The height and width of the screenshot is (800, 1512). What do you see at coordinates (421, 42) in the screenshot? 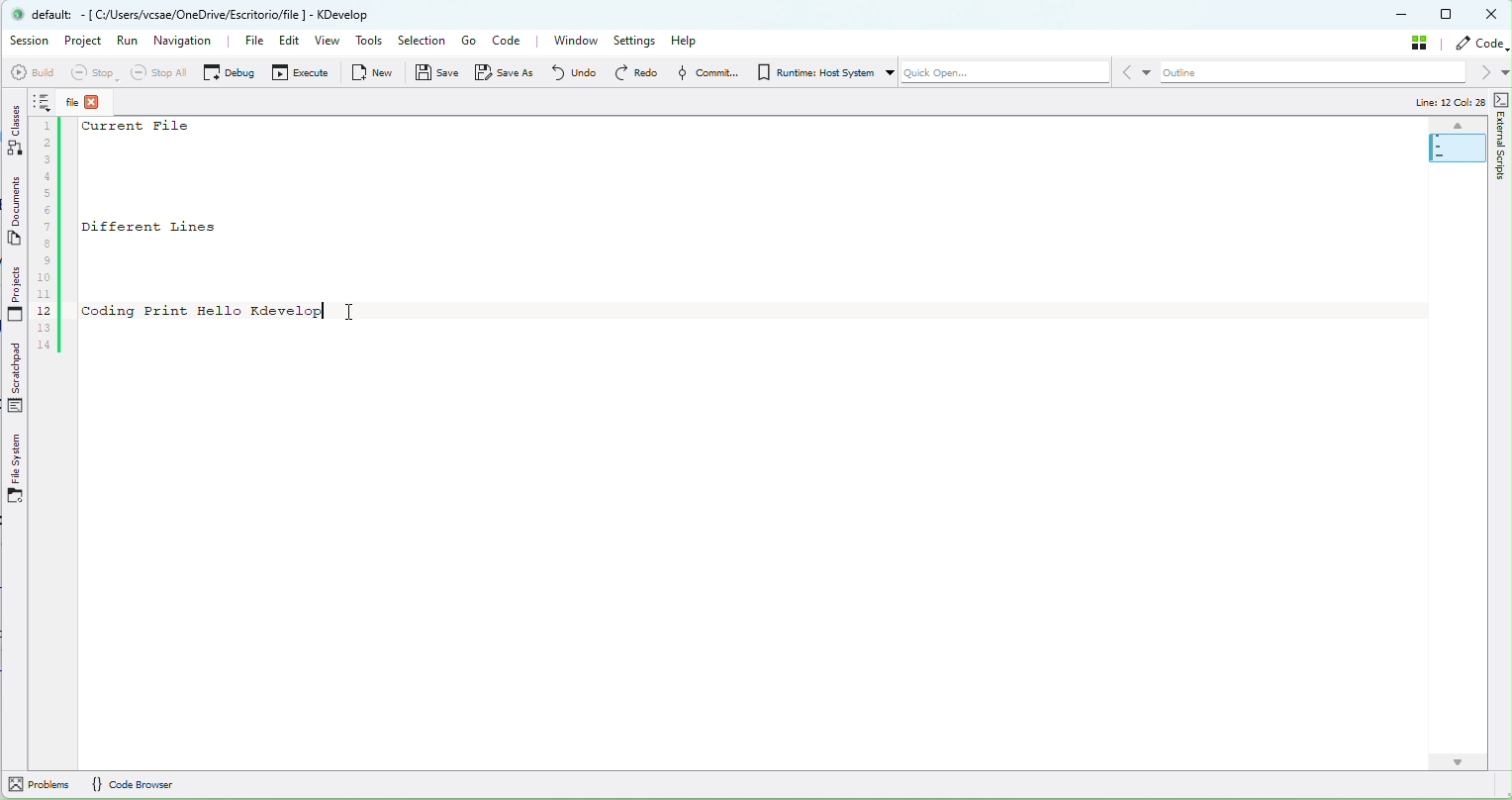
I see `Selection` at bounding box center [421, 42].